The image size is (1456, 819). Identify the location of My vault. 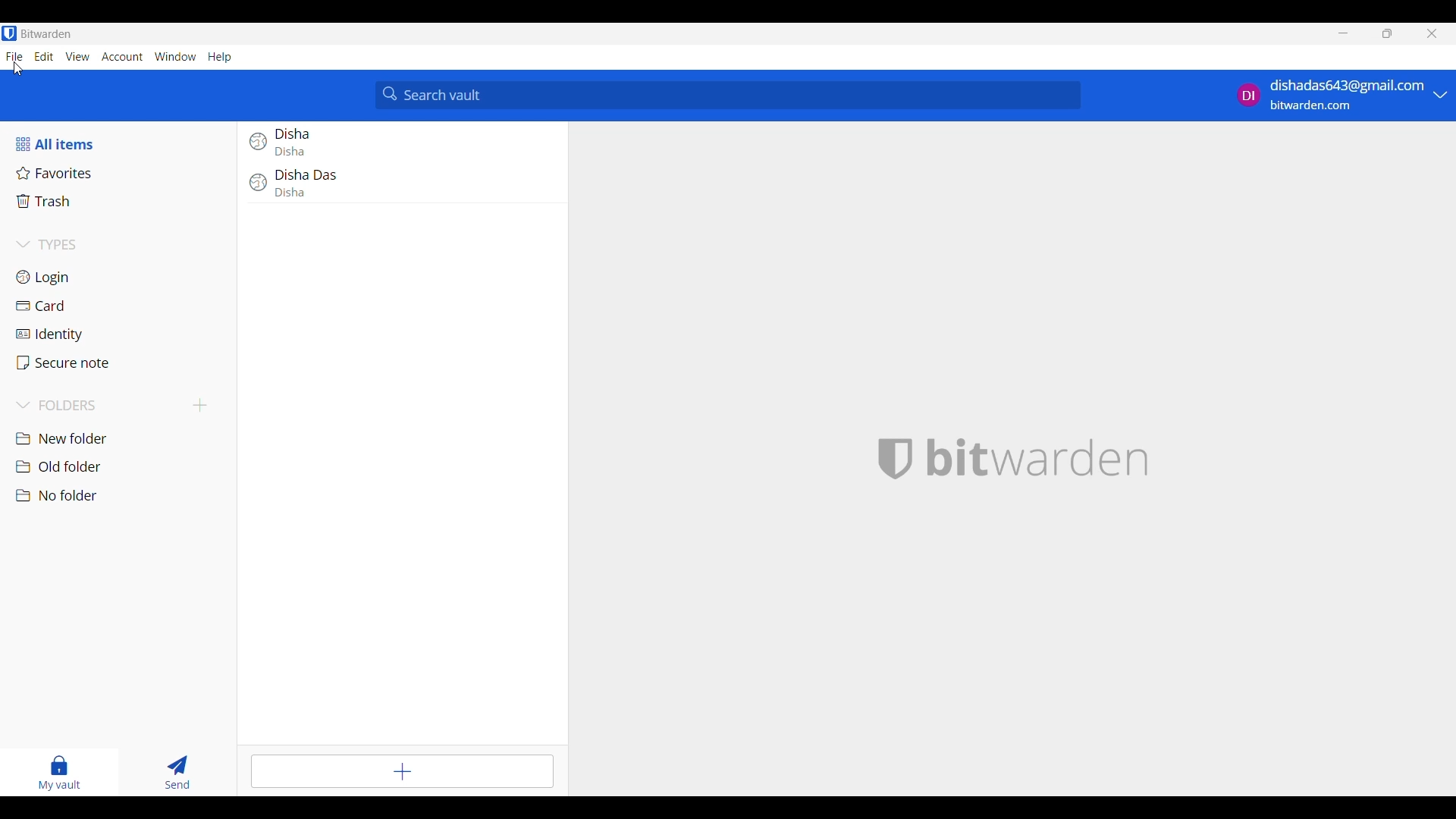
(59, 773).